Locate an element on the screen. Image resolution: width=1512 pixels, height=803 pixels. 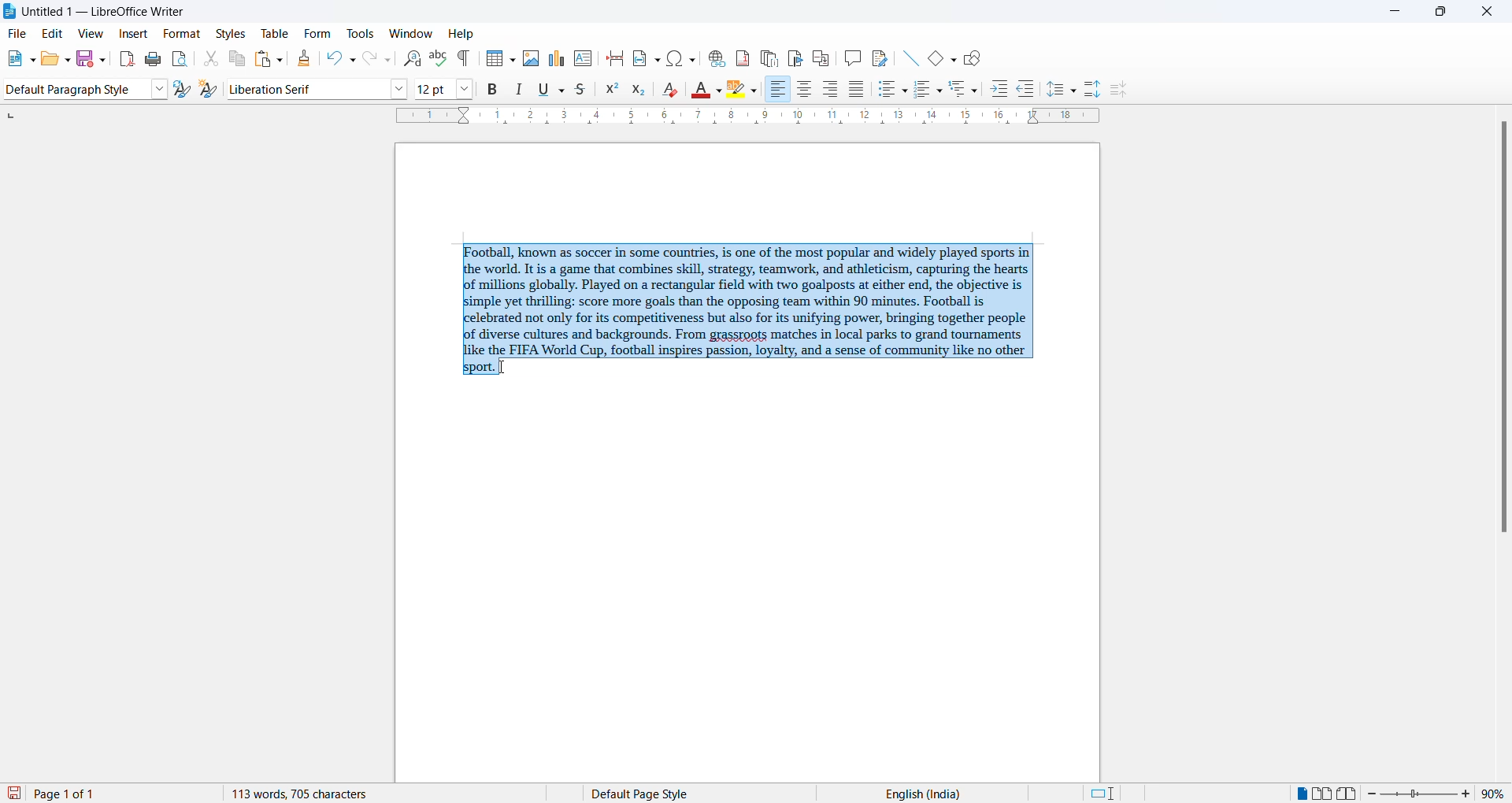
copy is located at coordinates (237, 59).